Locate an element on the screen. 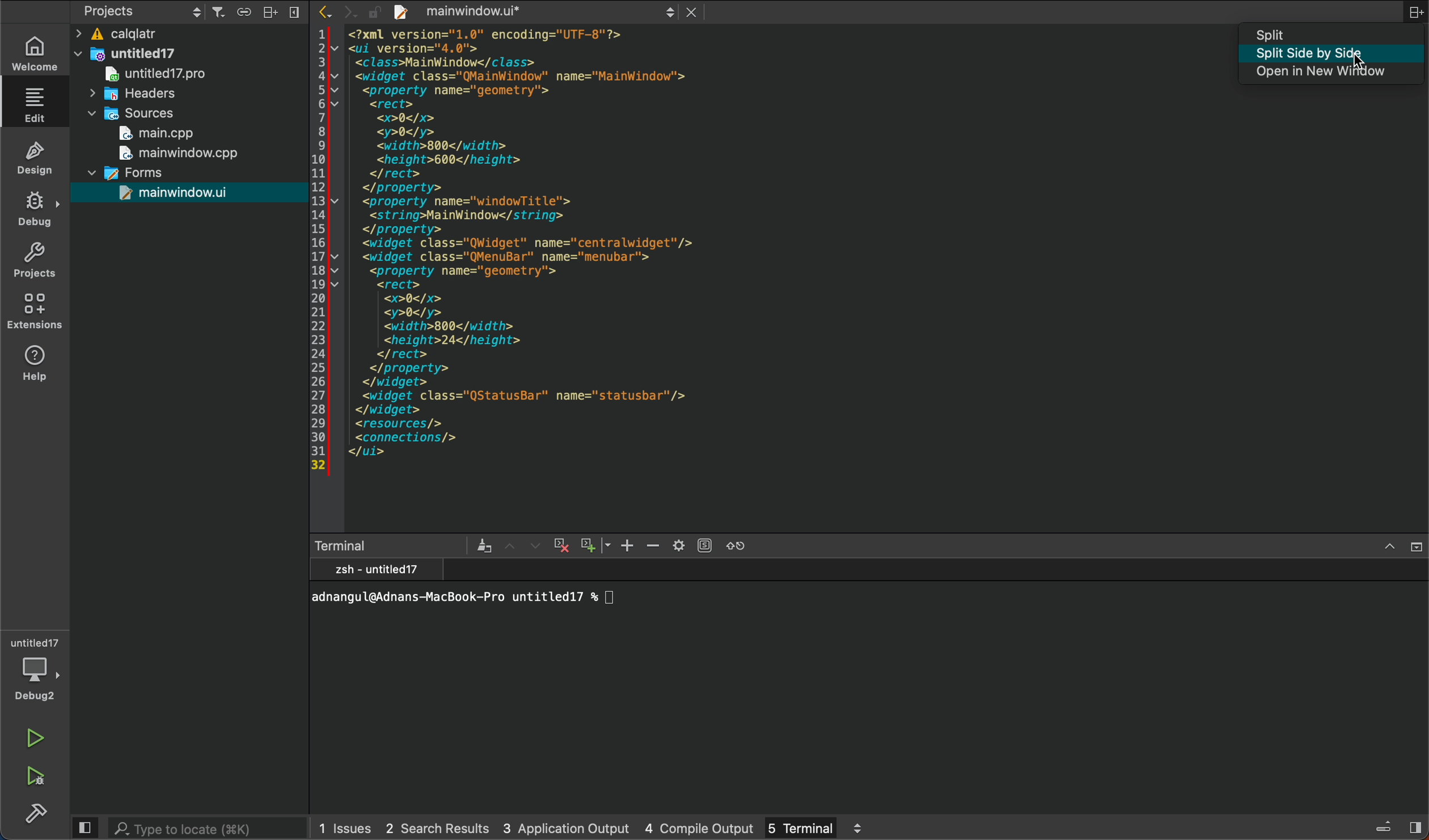 The width and height of the screenshot is (1429, 840). next item is located at coordinates (535, 546).